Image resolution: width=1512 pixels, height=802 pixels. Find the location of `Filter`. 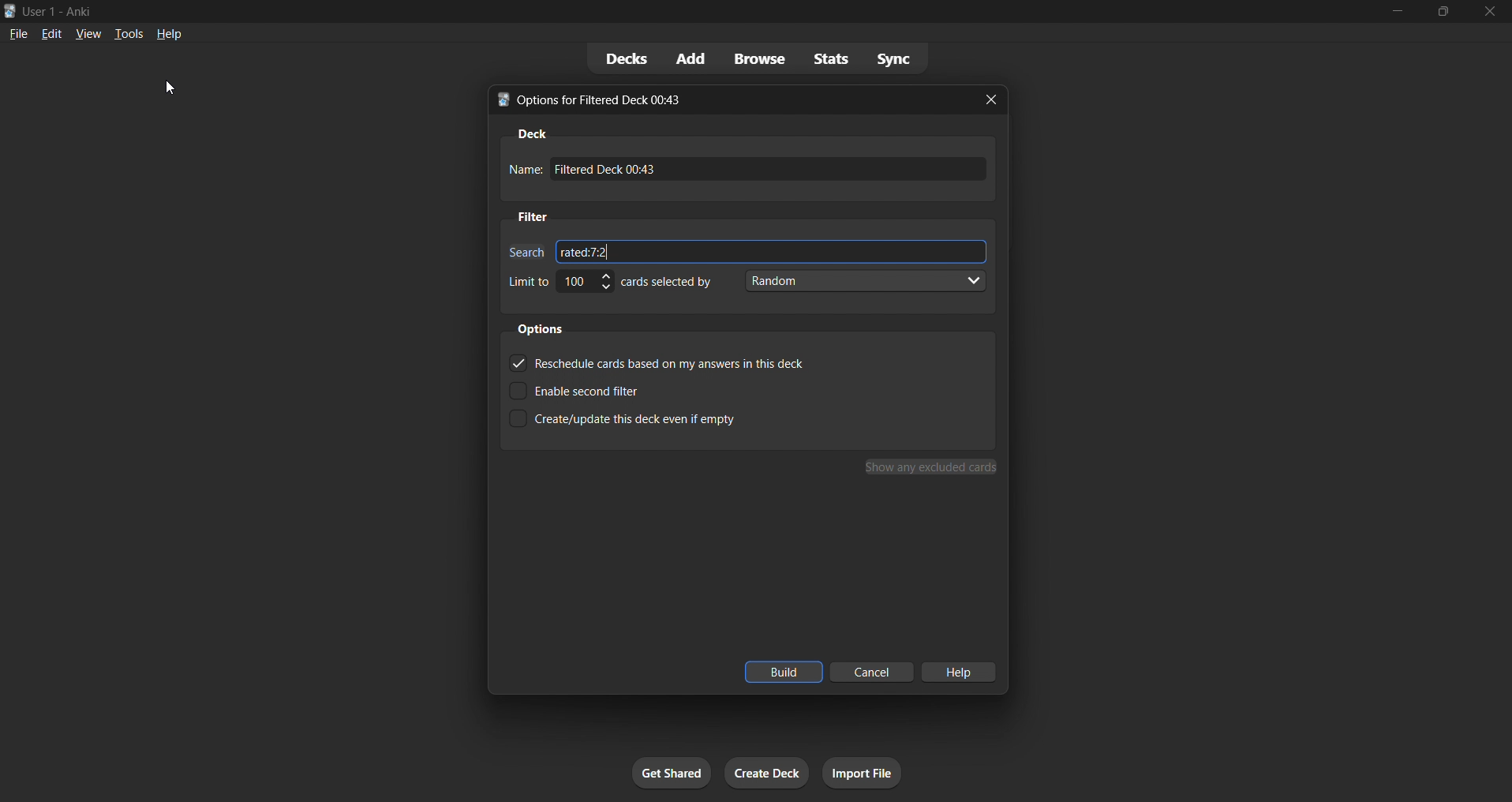

Filter is located at coordinates (537, 216).